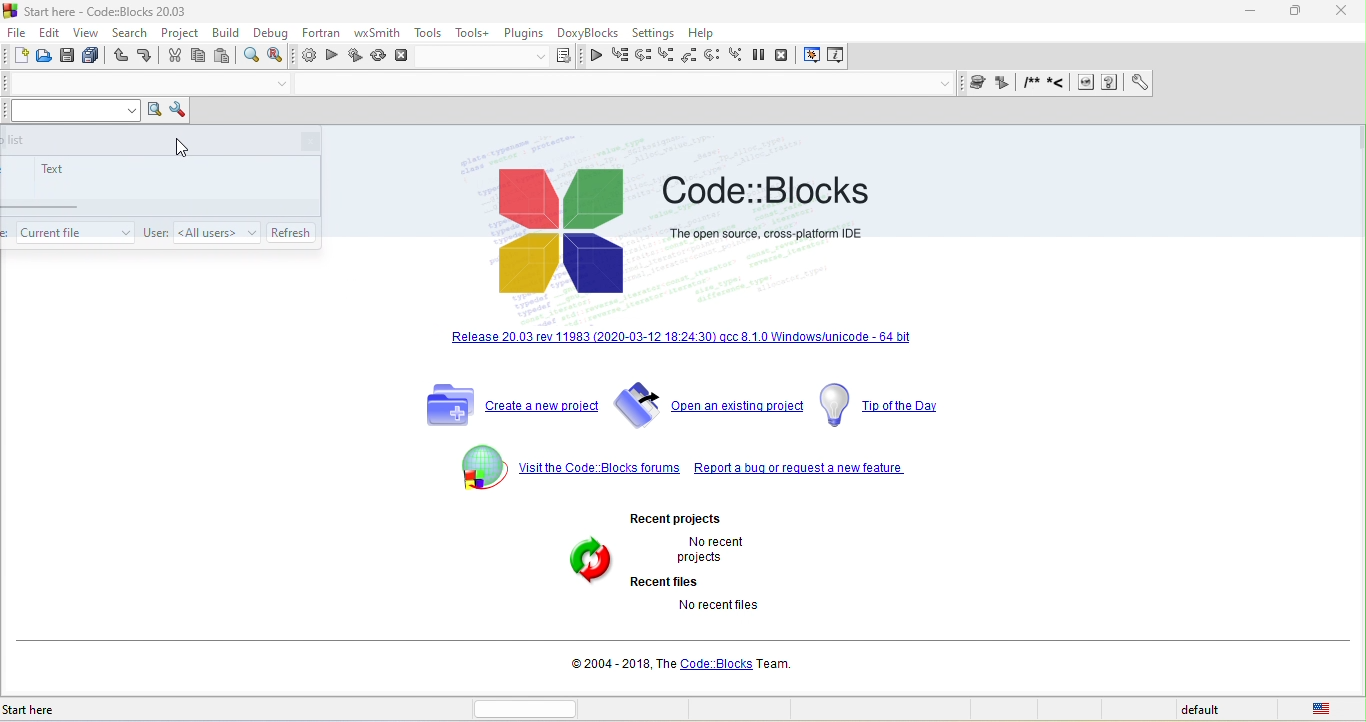 The width and height of the screenshot is (1366, 722). I want to click on settings, so click(653, 34).